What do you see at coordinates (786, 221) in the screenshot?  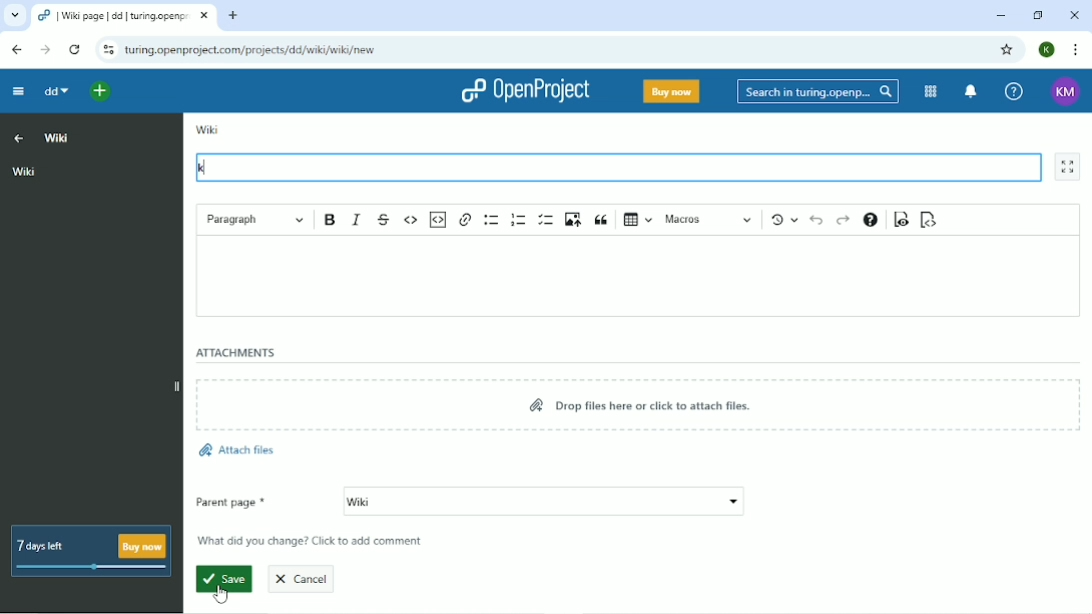 I see `Show local modifications` at bounding box center [786, 221].